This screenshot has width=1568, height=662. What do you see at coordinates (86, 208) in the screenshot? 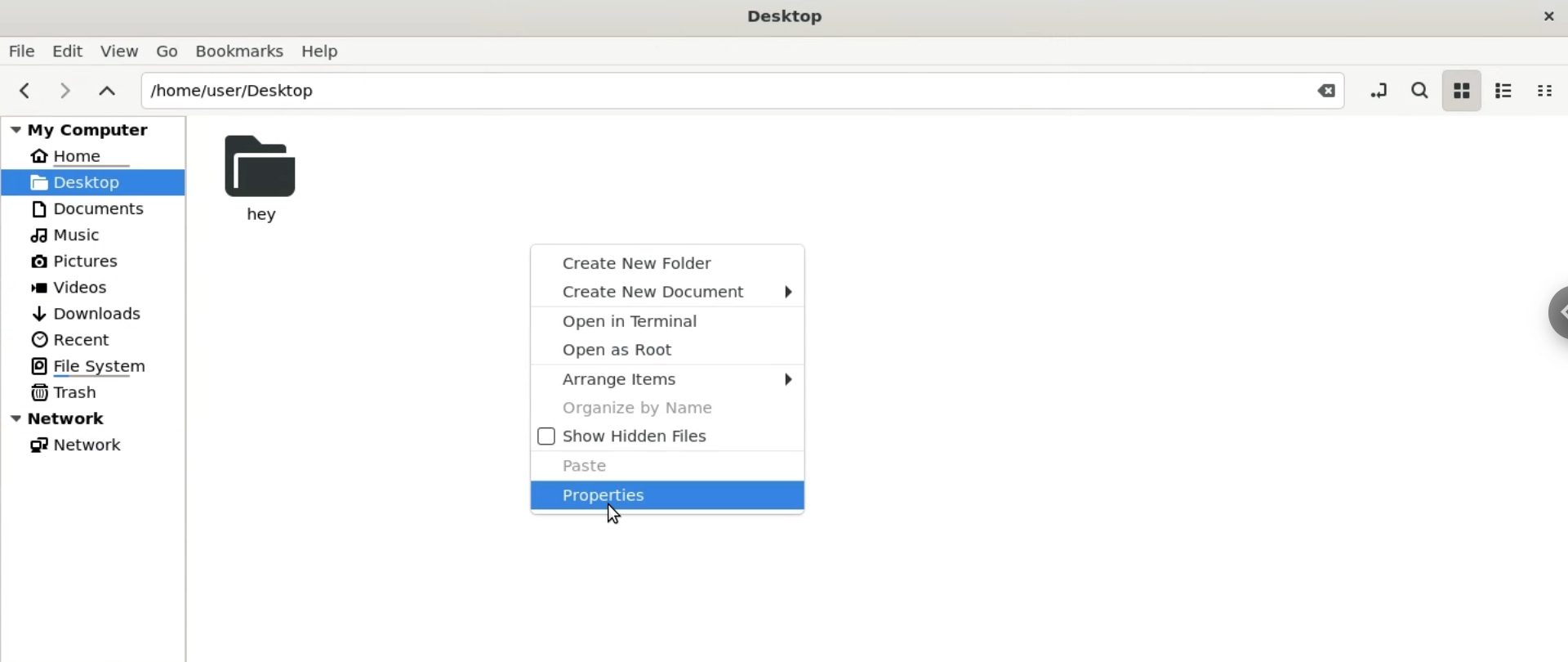
I see `documents` at bounding box center [86, 208].